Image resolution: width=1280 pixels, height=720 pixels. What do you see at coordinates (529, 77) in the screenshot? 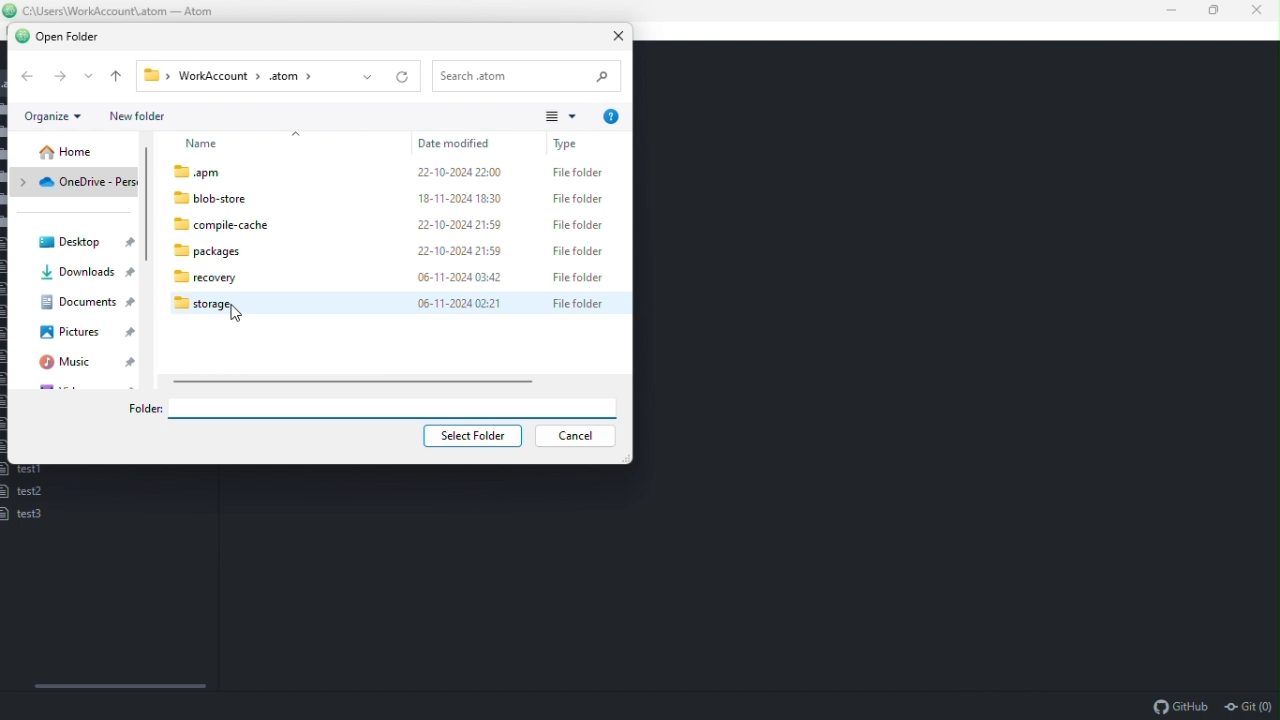
I see `Search` at bounding box center [529, 77].